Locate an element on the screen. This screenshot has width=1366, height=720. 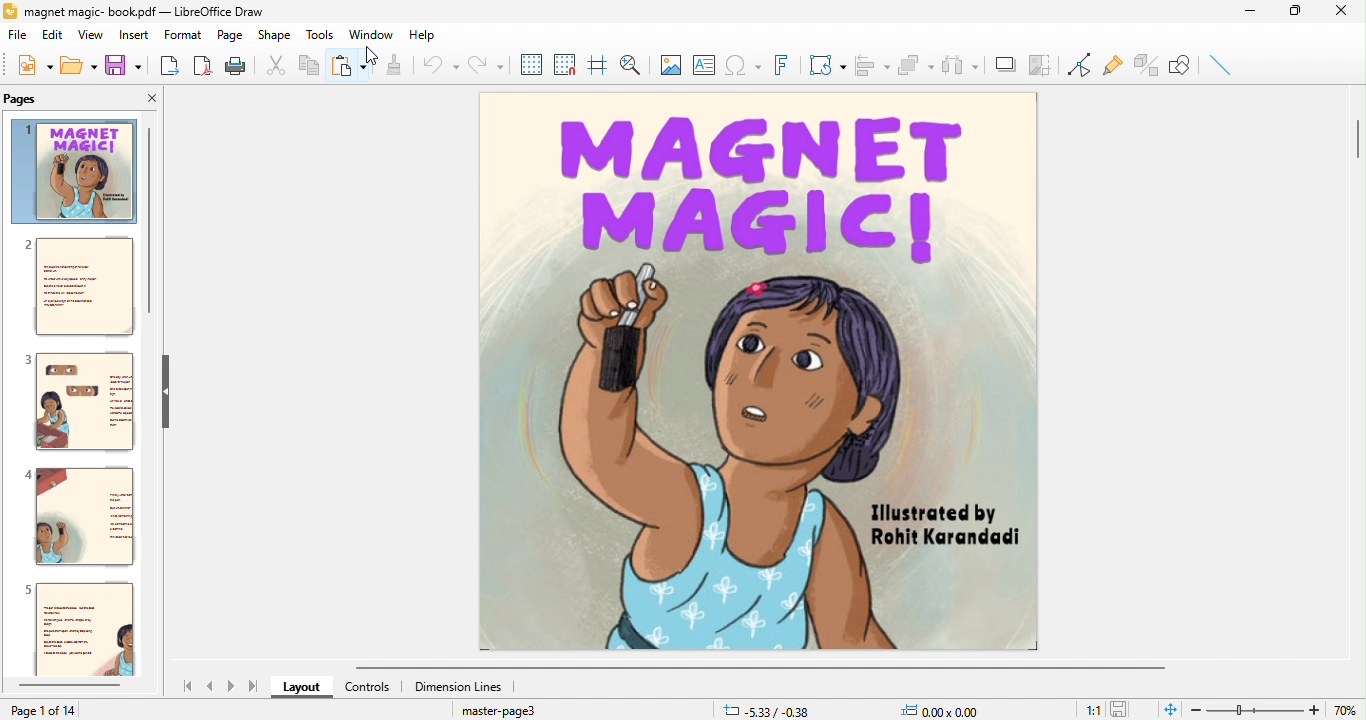
clone formatting is located at coordinates (394, 66).